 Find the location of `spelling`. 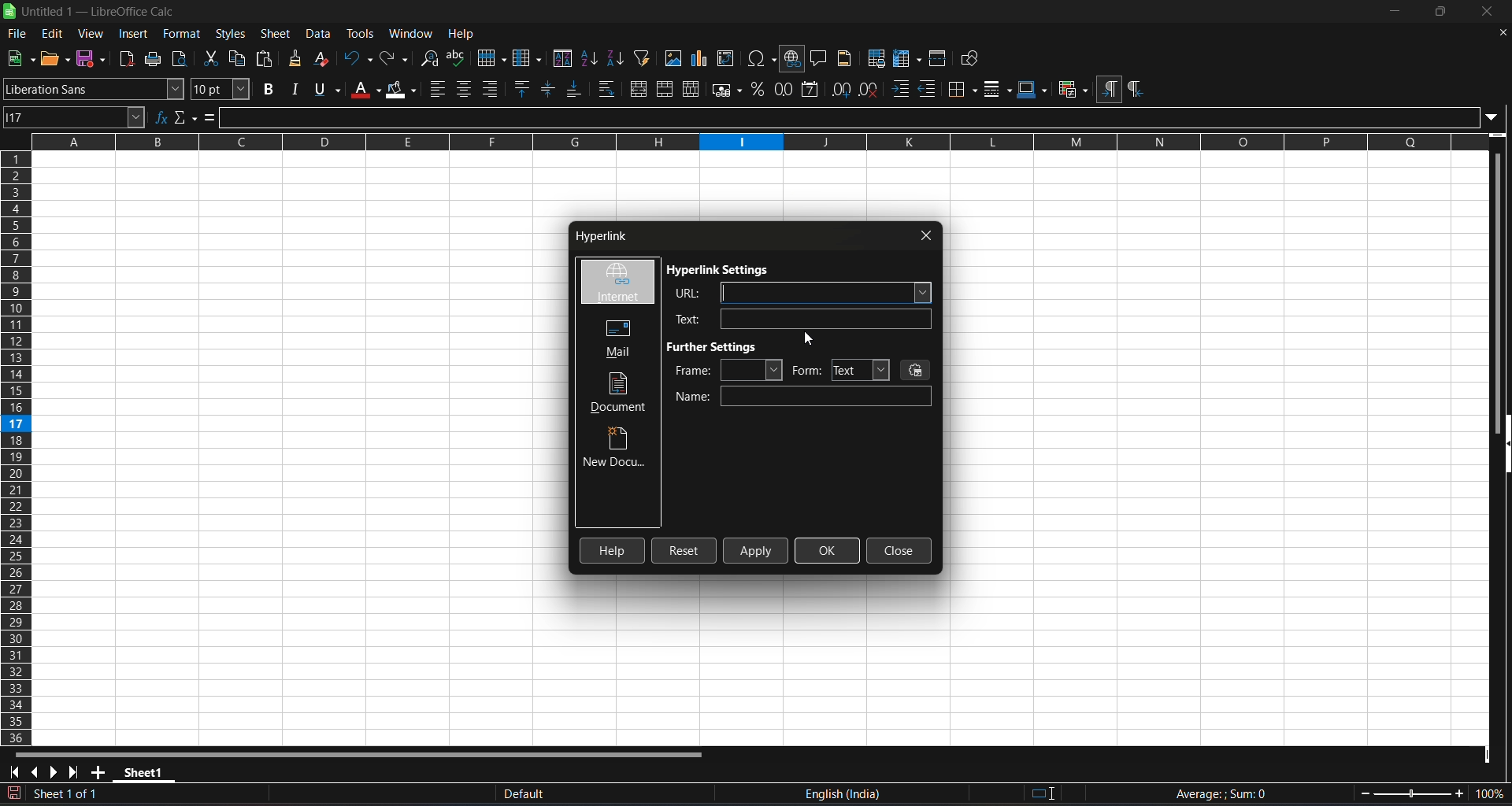

spelling is located at coordinates (458, 58).